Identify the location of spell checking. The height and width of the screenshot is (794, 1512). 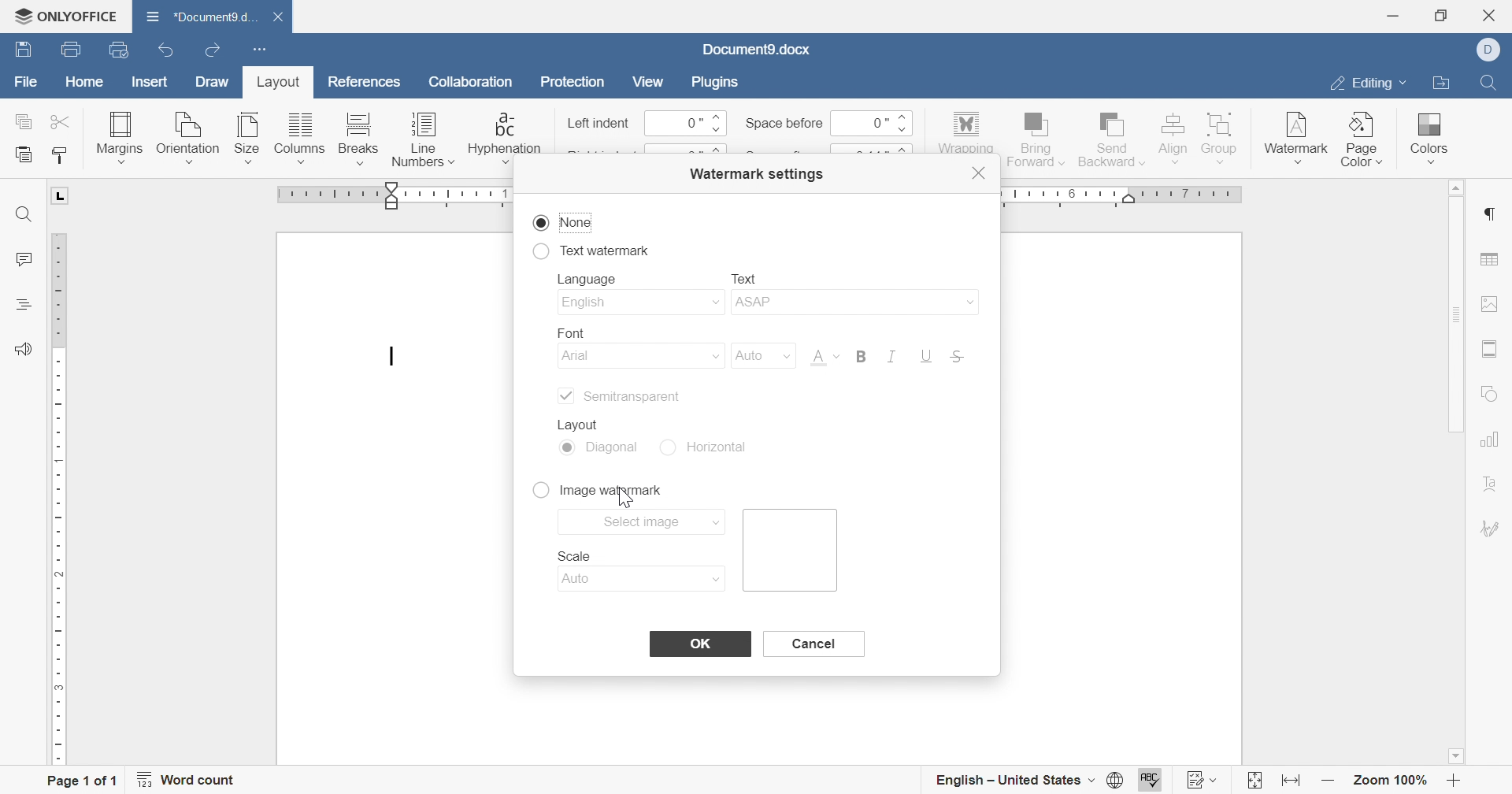
(1152, 781).